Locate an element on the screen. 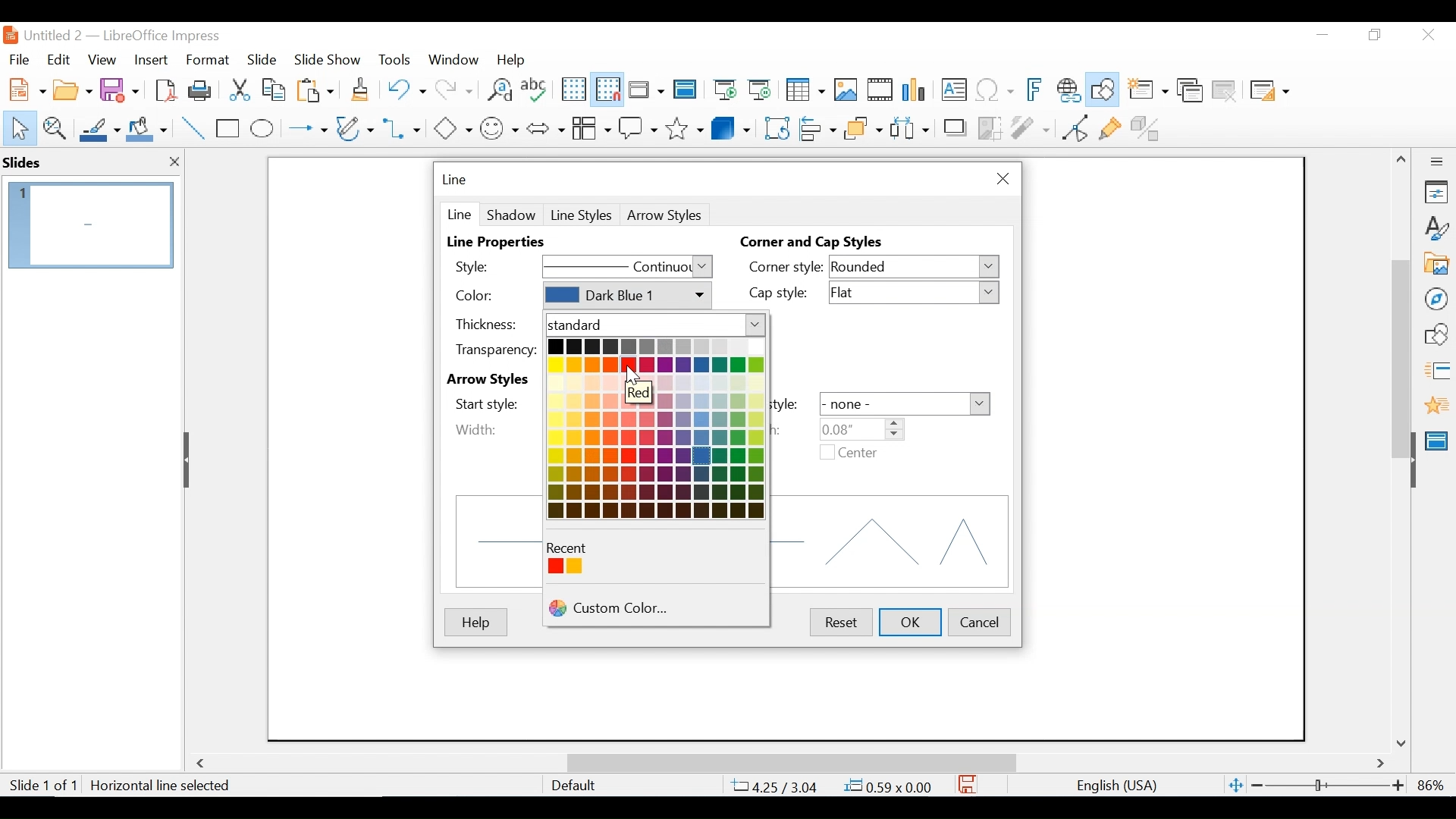  Rectangle is located at coordinates (229, 129).